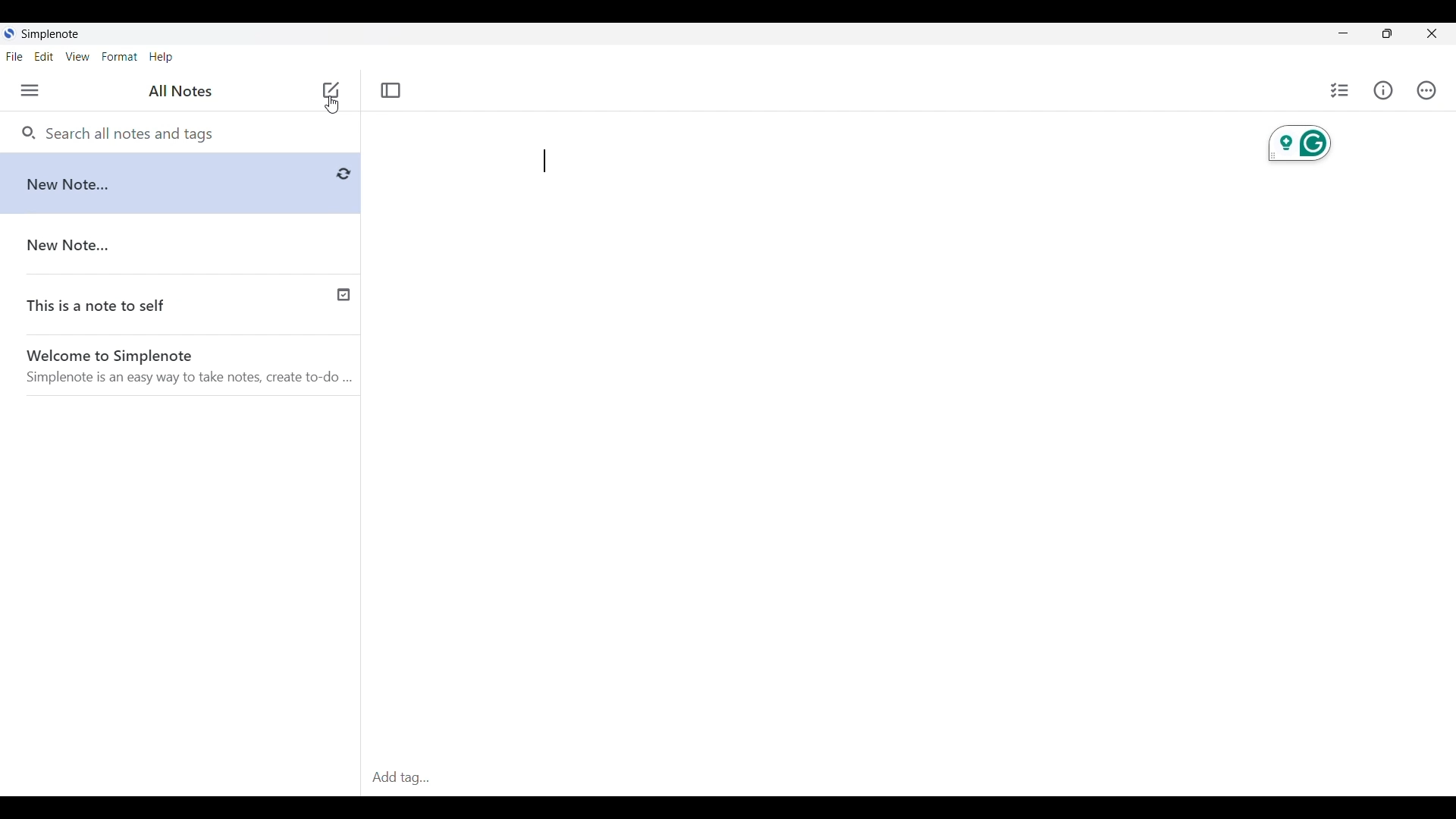 Image resolution: width=1456 pixels, height=819 pixels. I want to click on Search all notes and tags, so click(134, 133).